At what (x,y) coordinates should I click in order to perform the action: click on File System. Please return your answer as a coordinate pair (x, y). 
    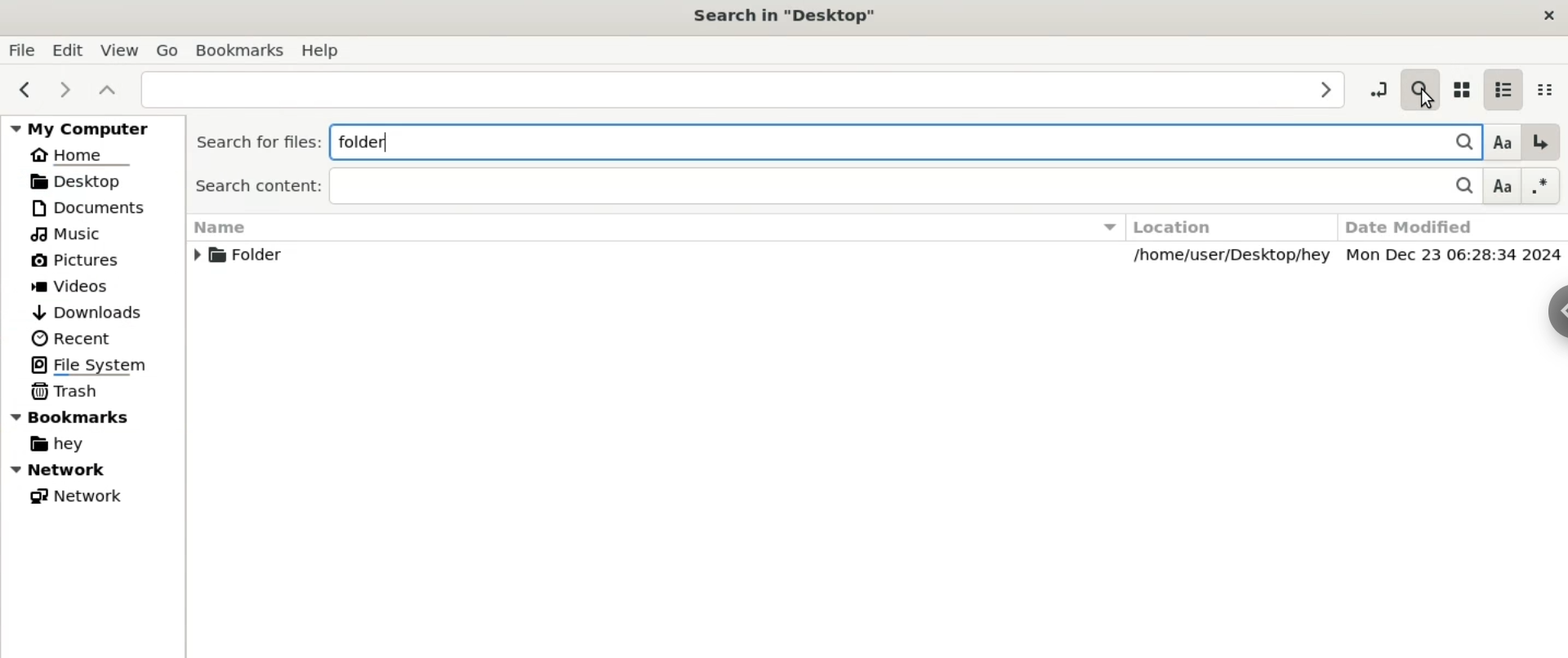
    Looking at the image, I should click on (84, 365).